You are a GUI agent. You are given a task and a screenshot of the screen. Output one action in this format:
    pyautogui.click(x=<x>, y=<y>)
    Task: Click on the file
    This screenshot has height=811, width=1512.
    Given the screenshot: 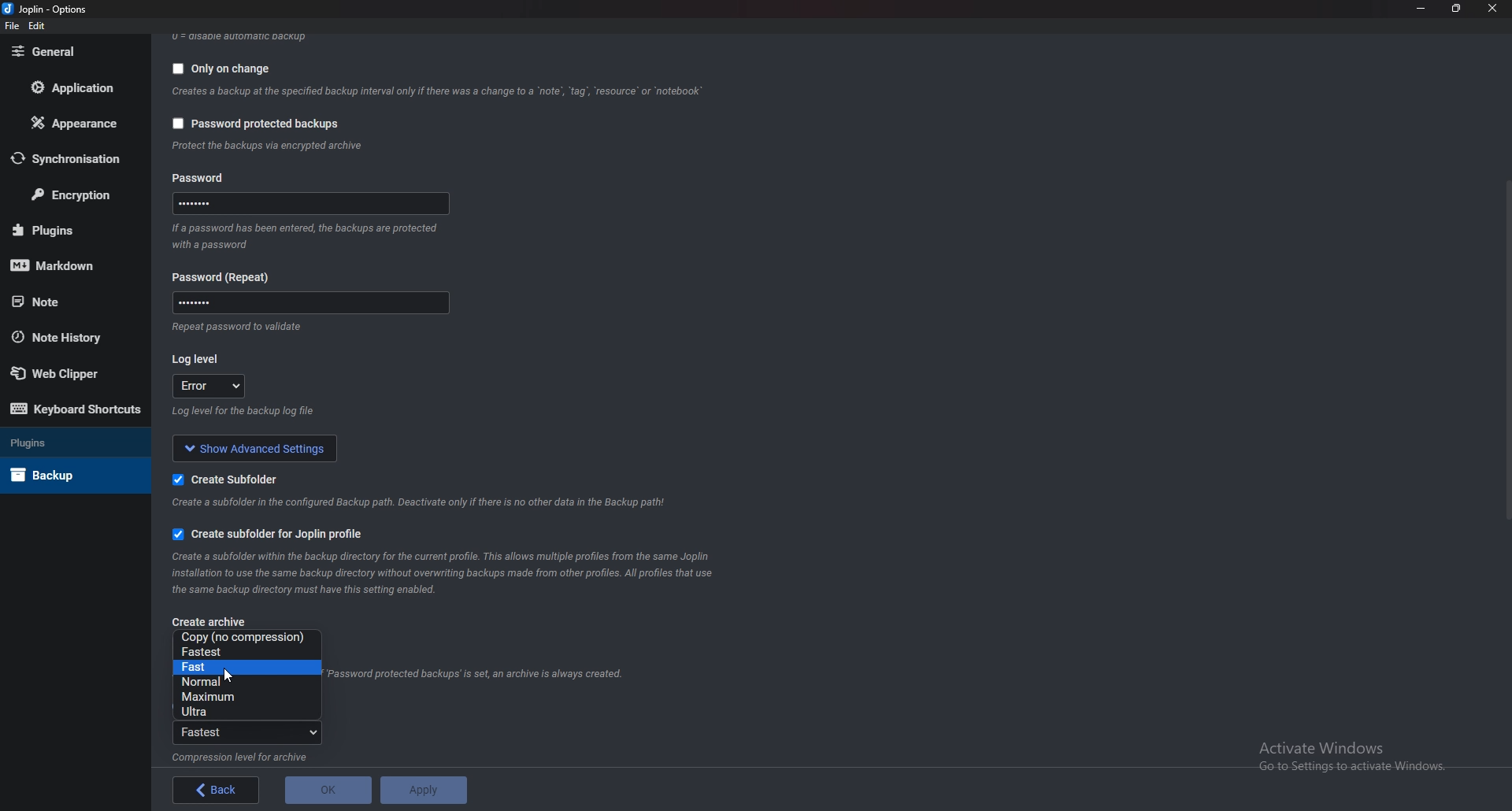 What is the action you would take?
    pyautogui.click(x=13, y=26)
    